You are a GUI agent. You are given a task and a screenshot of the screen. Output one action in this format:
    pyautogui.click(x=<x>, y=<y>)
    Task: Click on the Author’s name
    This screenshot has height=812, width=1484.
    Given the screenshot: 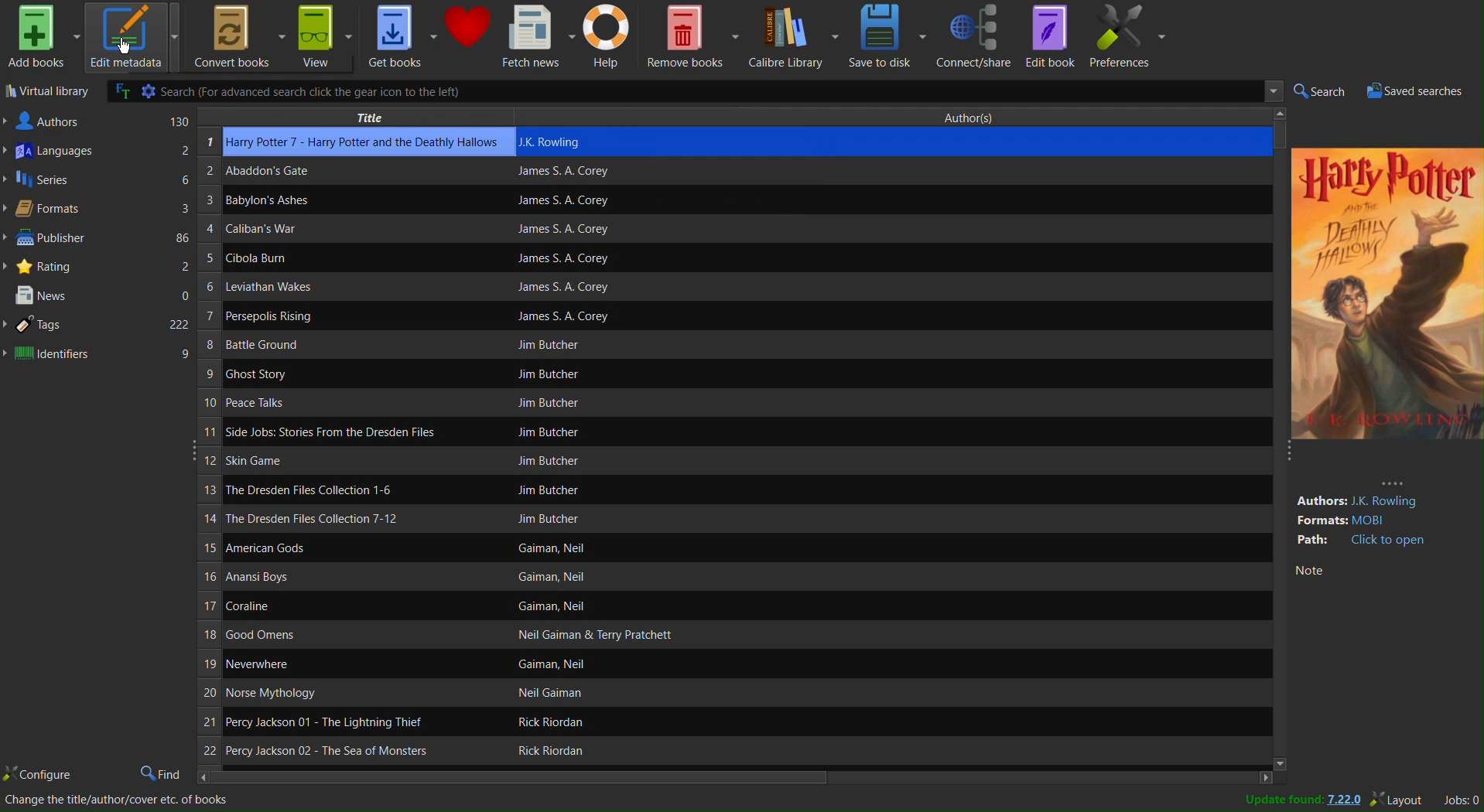 What is the action you would take?
    pyautogui.click(x=645, y=578)
    